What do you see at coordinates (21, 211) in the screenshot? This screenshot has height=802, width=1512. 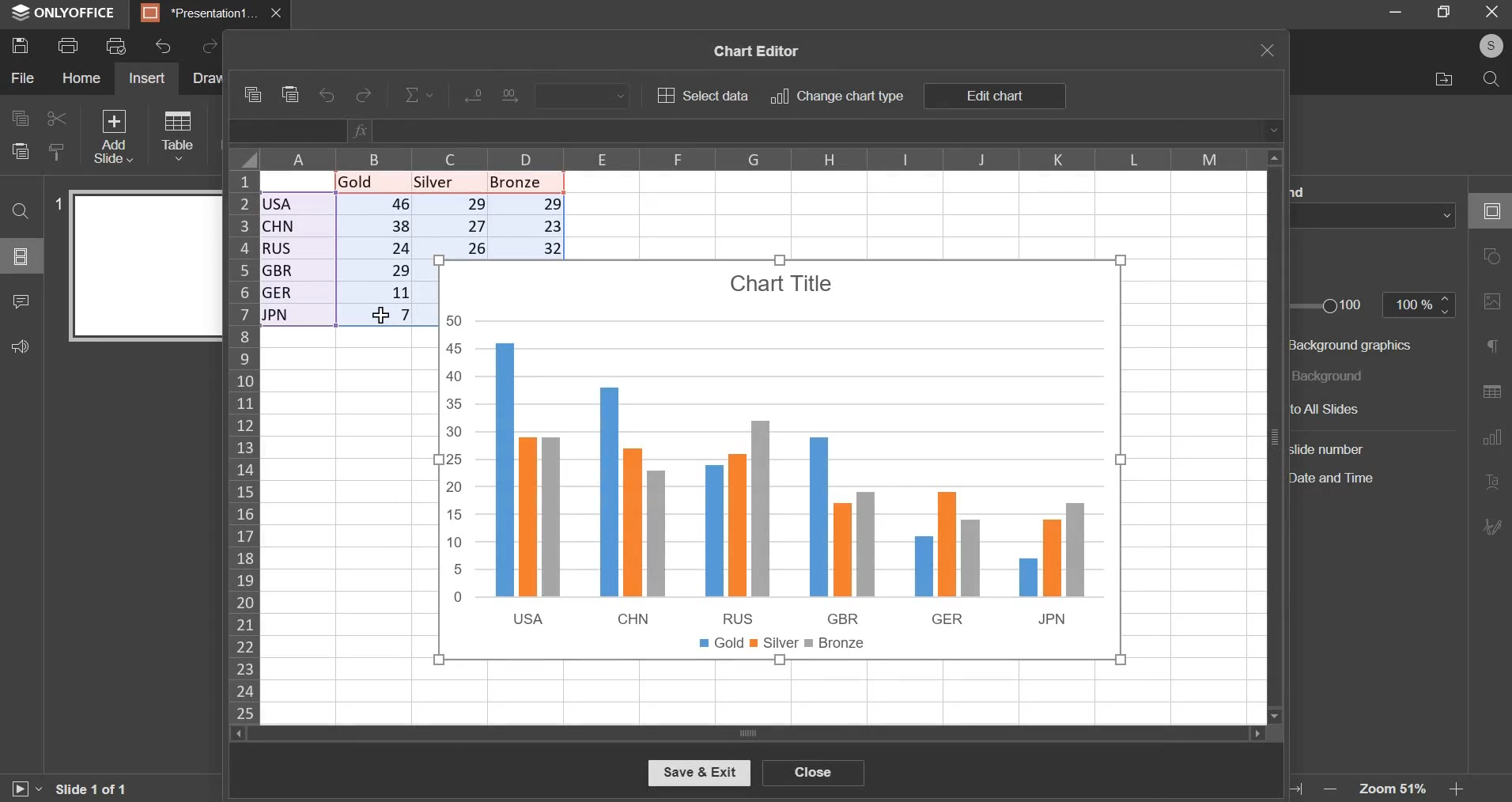 I see `find` at bounding box center [21, 211].